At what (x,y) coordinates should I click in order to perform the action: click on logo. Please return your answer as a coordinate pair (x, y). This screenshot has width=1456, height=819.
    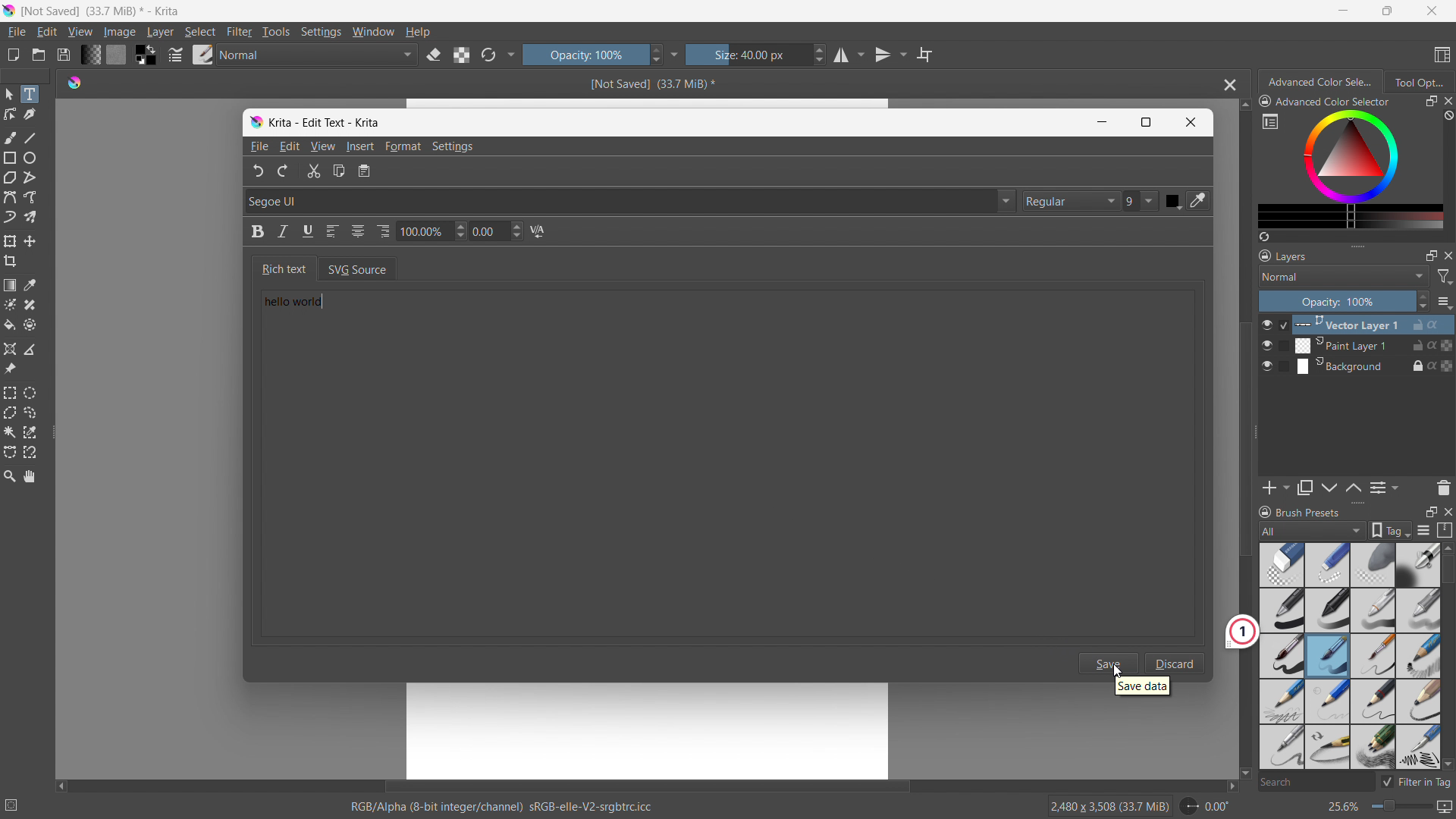
    Looking at the image, I should click on (9, 11).